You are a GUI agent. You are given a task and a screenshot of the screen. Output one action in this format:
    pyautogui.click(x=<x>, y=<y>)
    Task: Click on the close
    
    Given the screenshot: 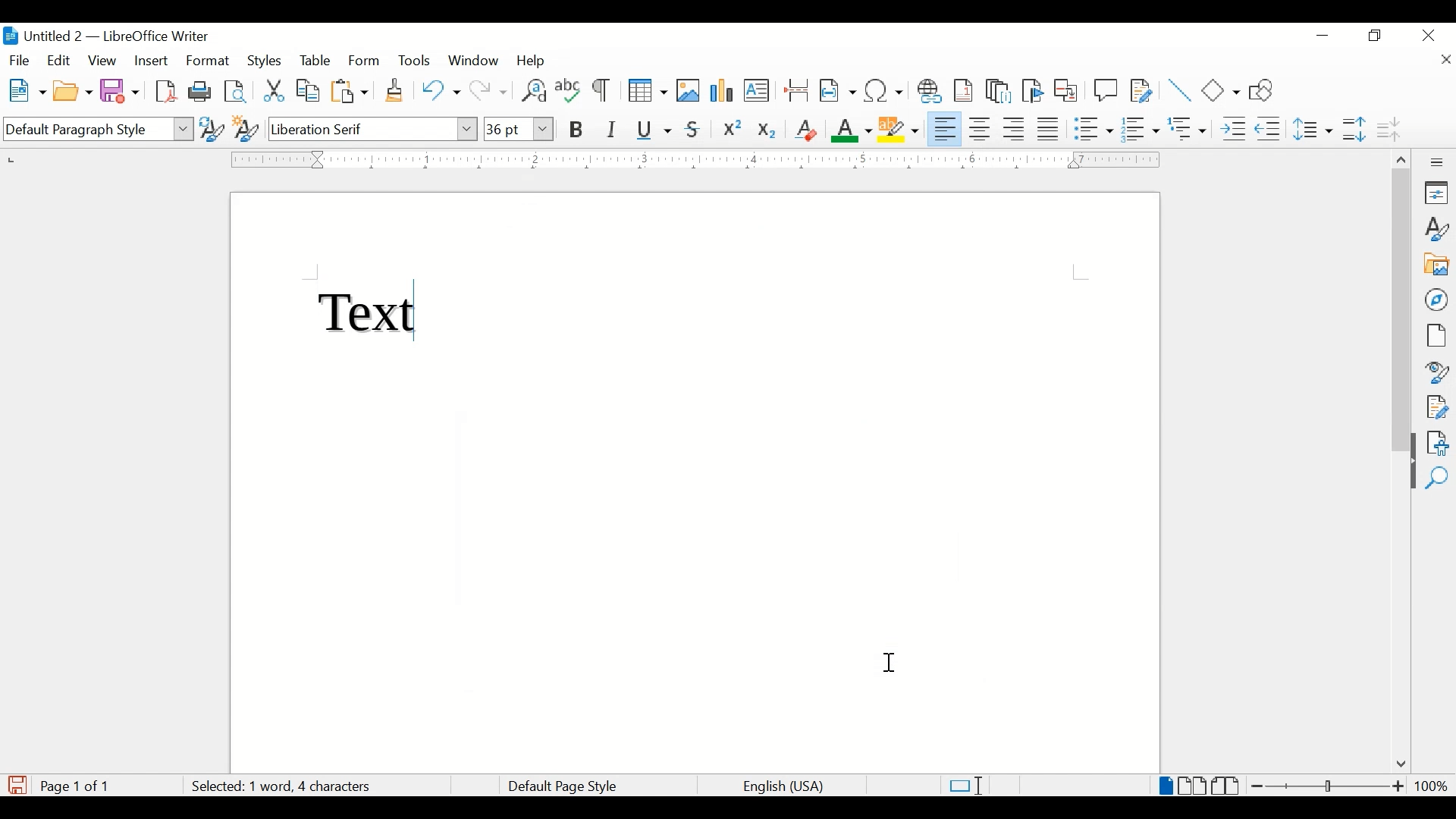 What is the action you would take?
    pyautogui.click(x=1429, y=34)
    